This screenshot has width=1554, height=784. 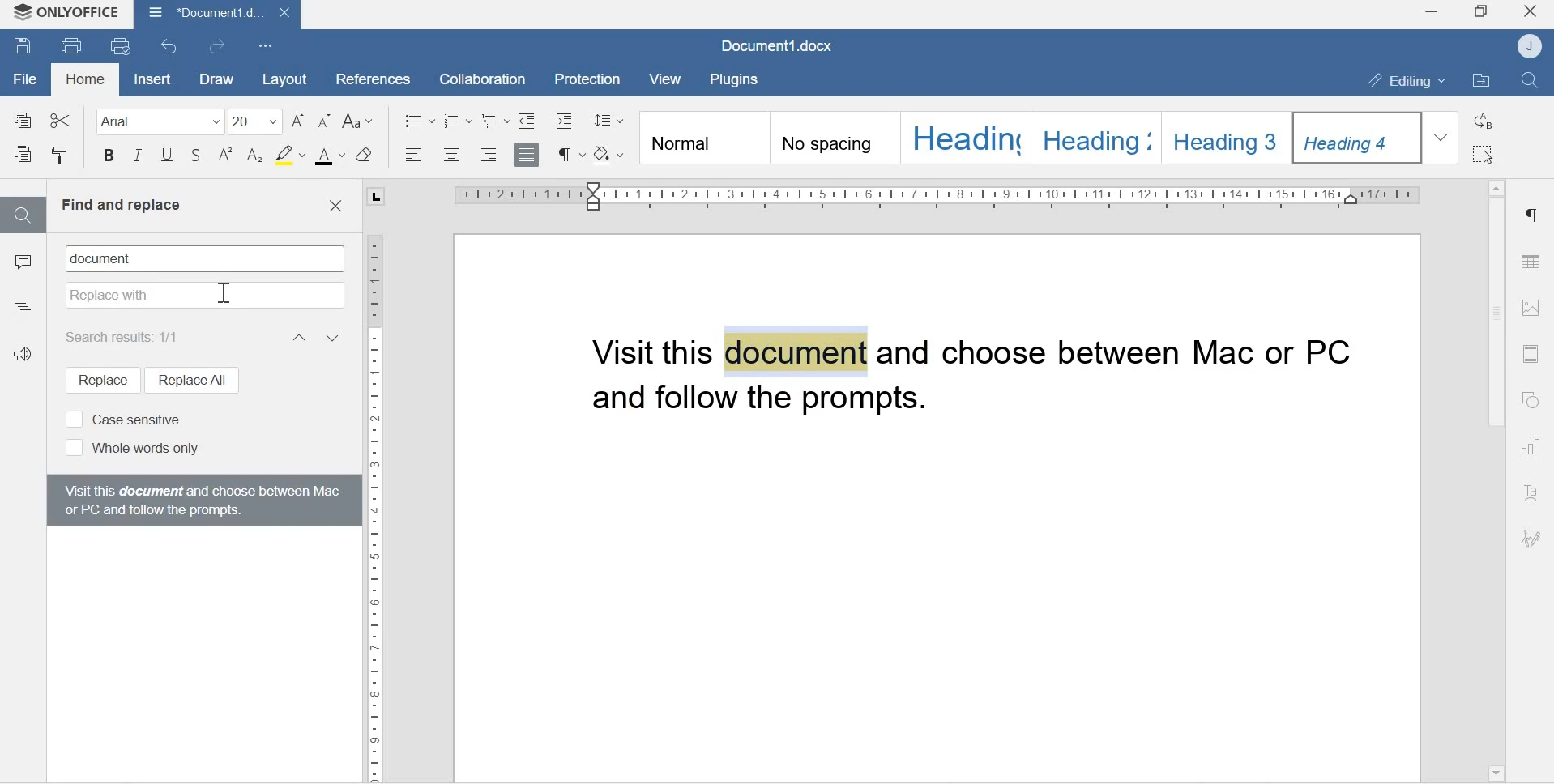 I want to click on Case sensitive, so click(x=122, y=418).